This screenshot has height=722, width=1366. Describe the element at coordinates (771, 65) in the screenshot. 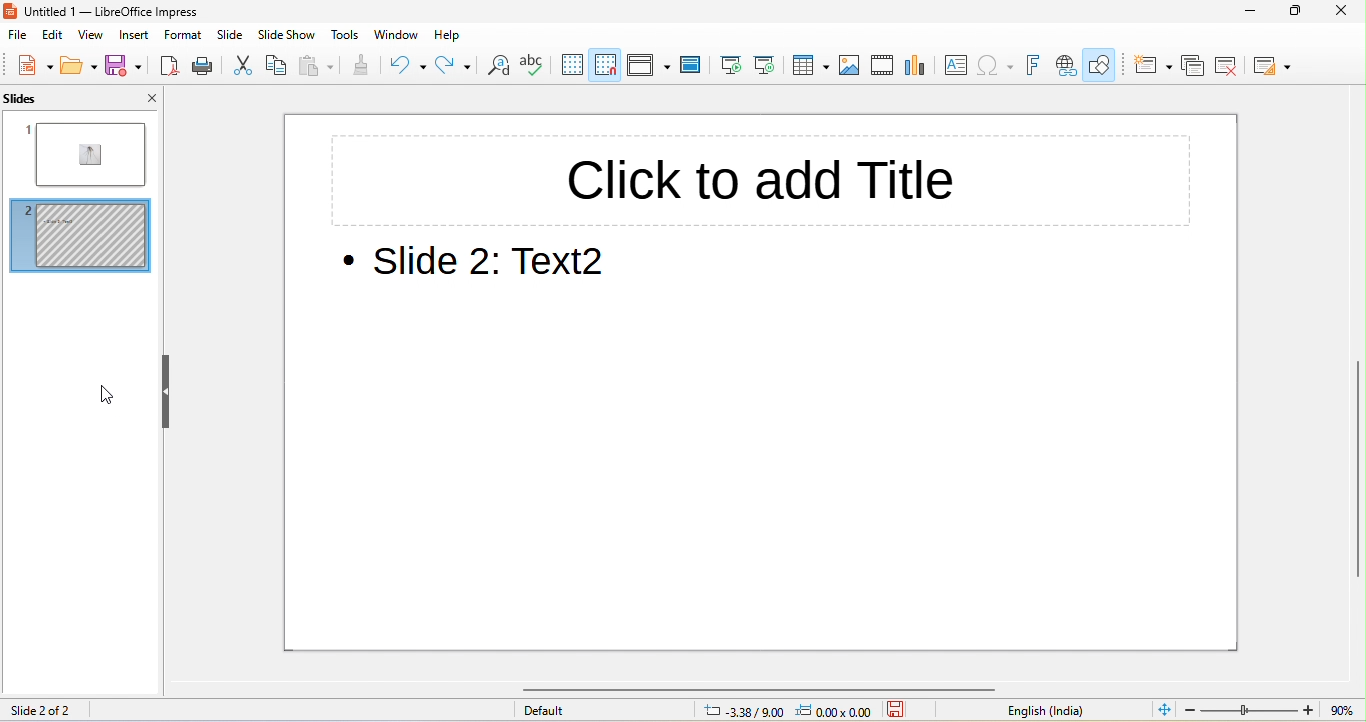

I see `start from current slide` at that location.